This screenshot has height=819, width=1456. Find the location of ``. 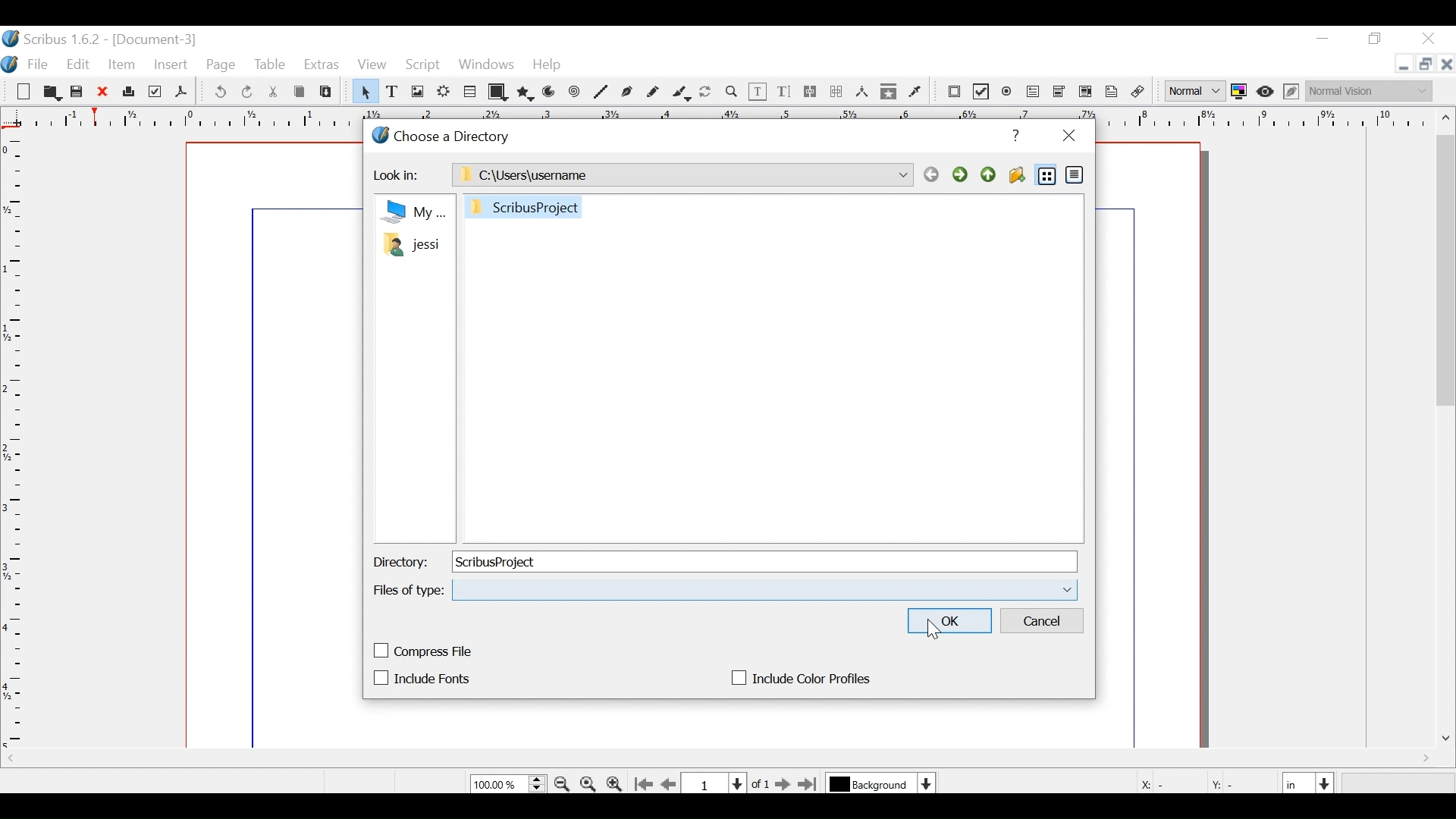

 is located at coordinates (1325, 781).